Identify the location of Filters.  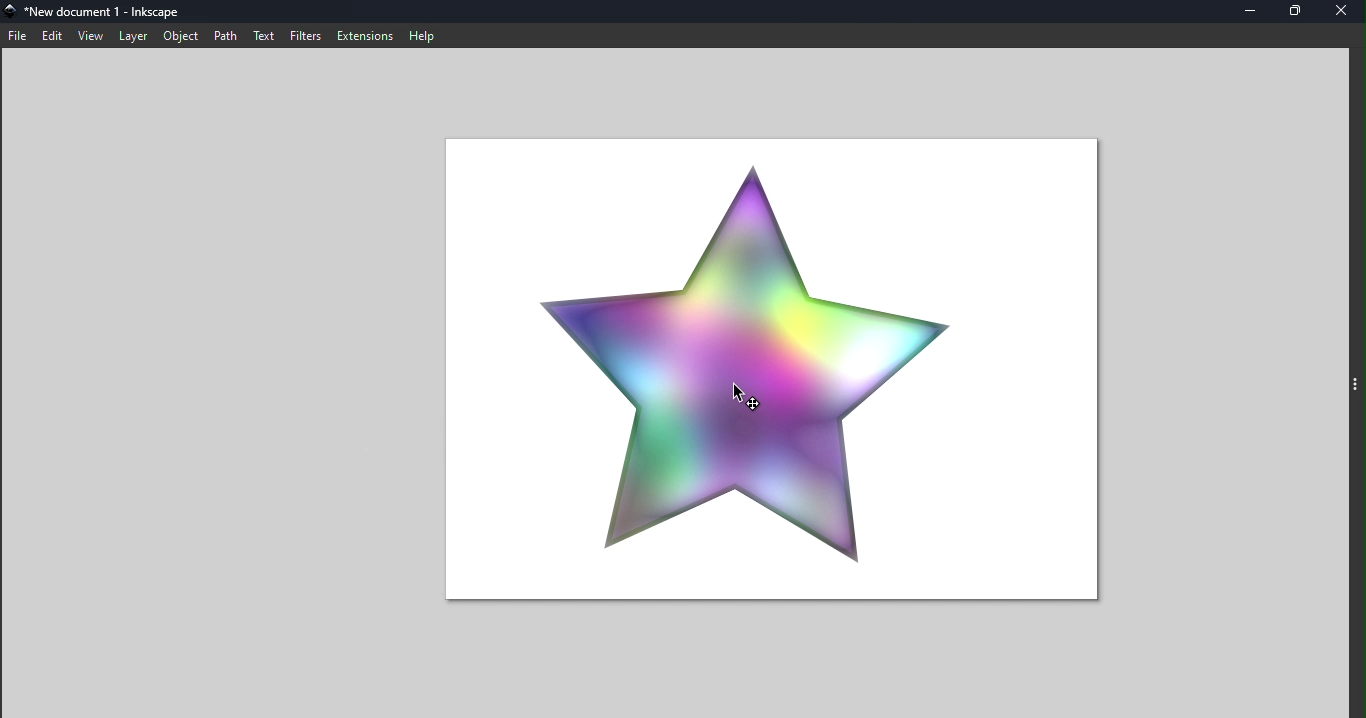
(306, 36).